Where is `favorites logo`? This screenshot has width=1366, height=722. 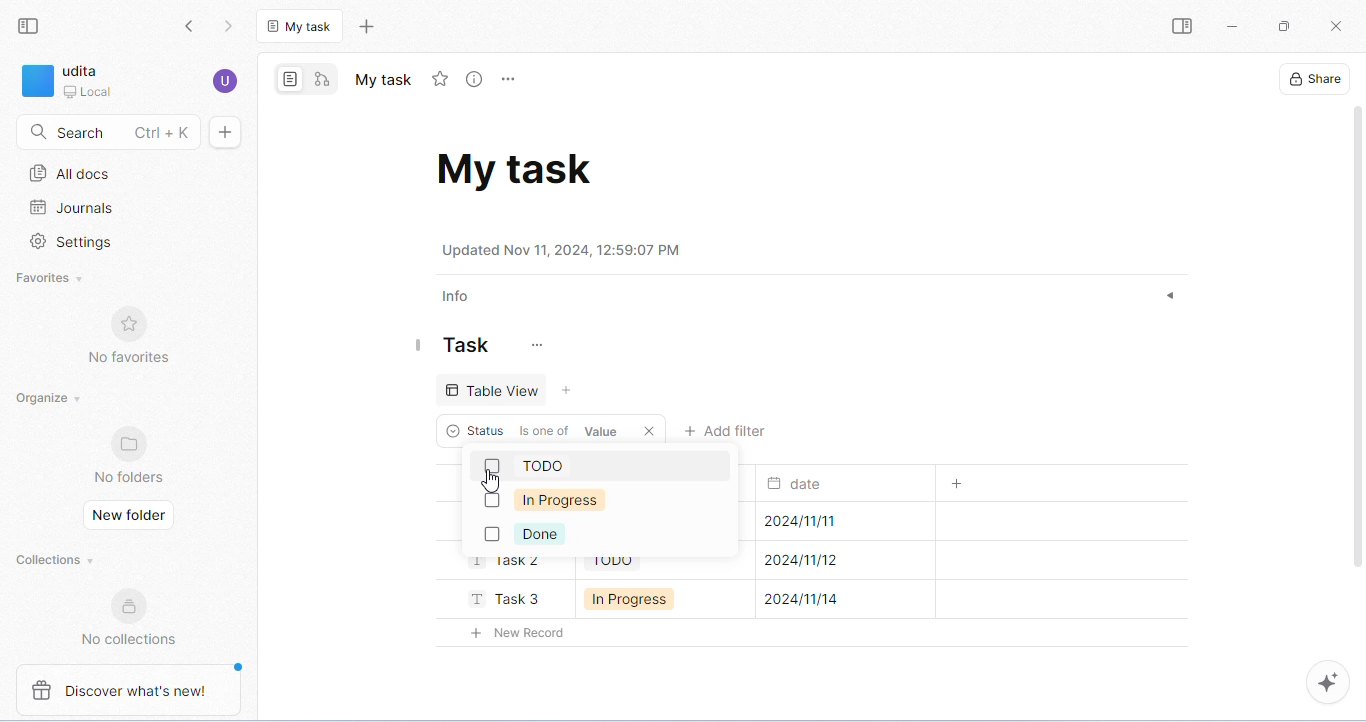
favorites logo is located at coordinates (125, 444).